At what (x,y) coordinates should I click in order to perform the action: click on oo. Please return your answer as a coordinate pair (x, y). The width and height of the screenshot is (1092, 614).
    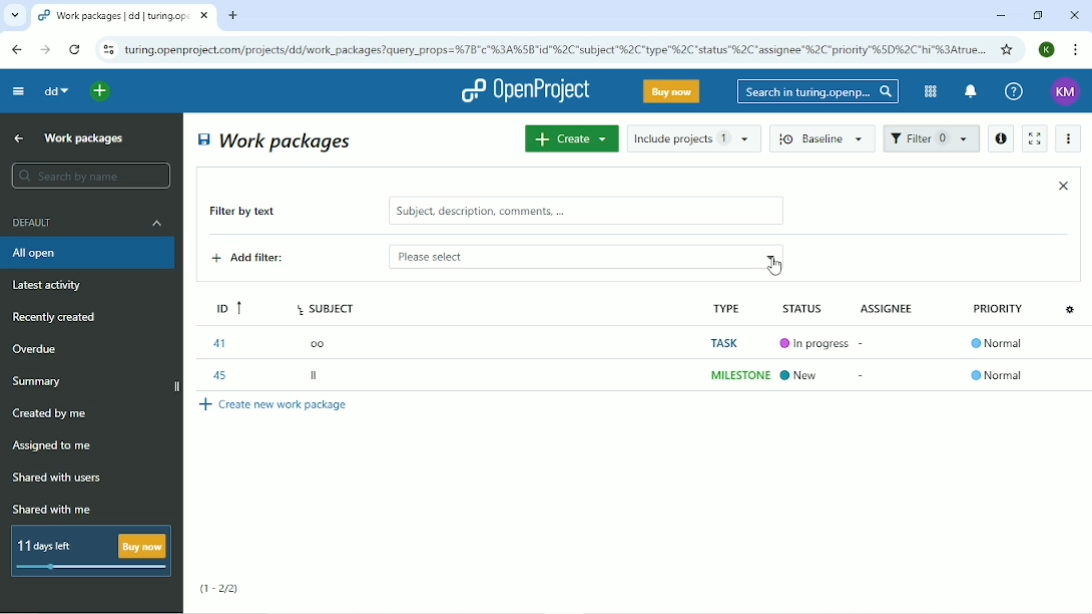
    Looking at the image, I should click on (323, 342).